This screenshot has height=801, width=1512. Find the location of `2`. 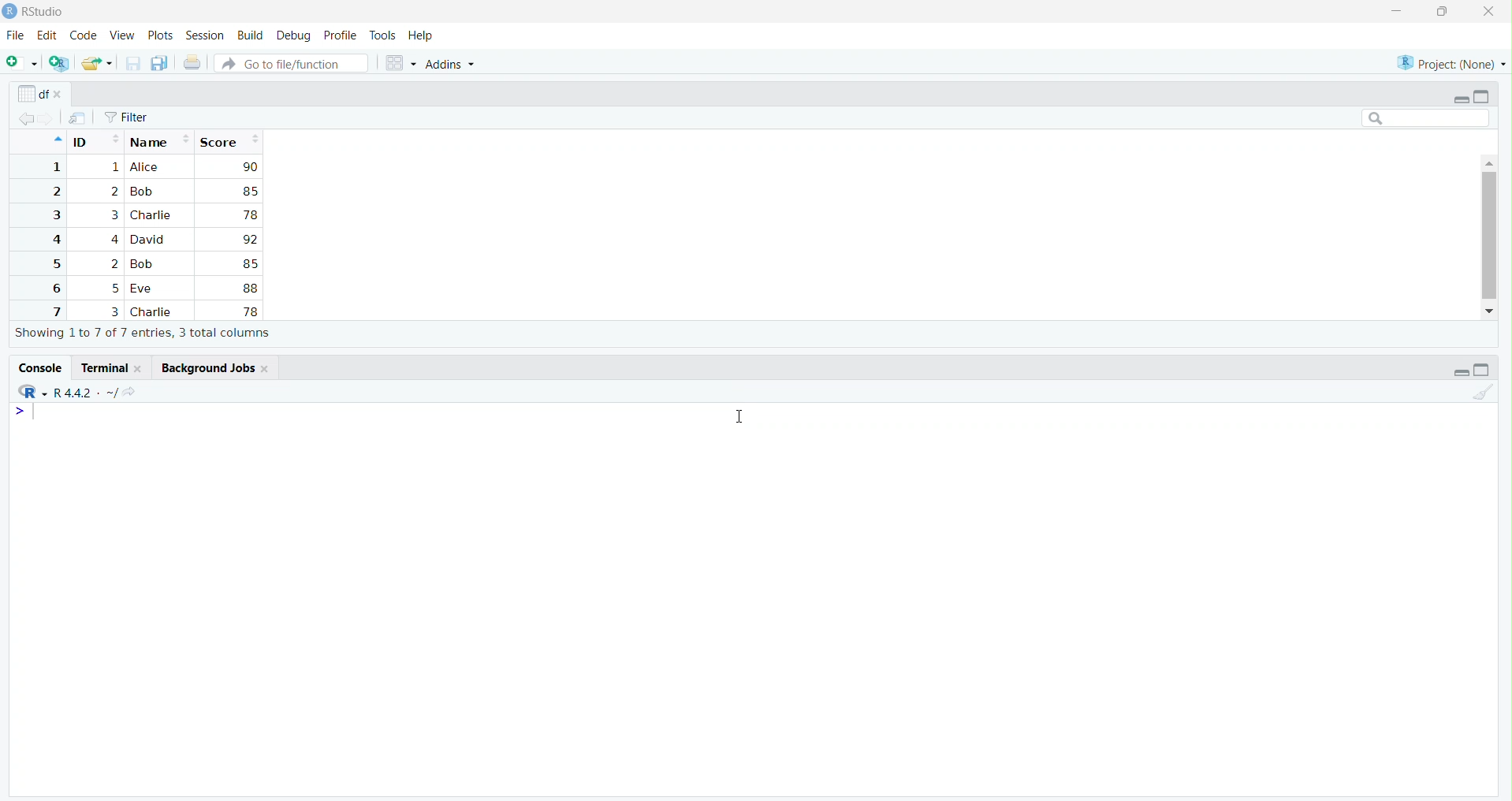

2 is located at coordinates (114, 264).